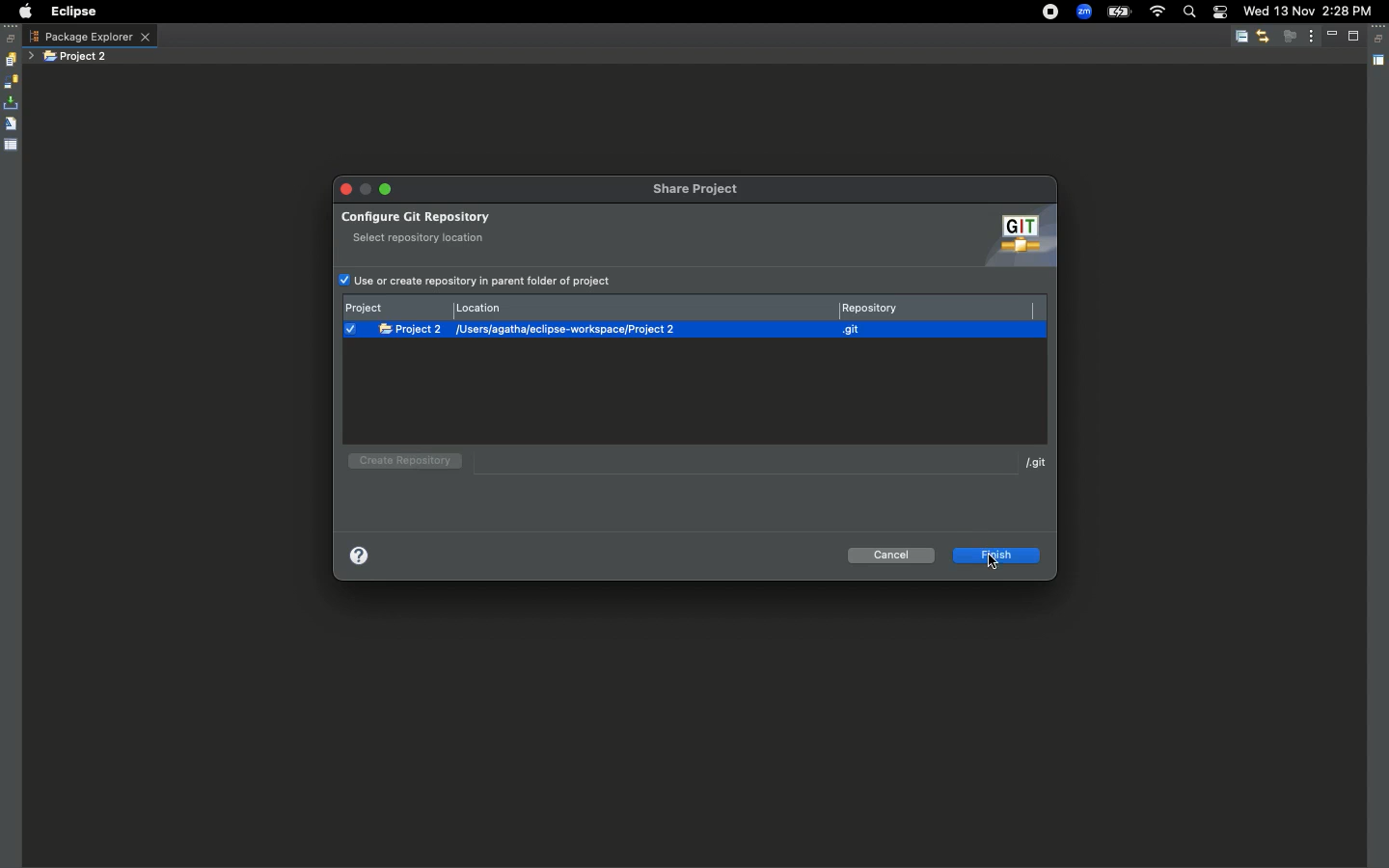 The height and width of the screenshot is (868, 1389). Describe the element at coordinates (1380, 40) in the screenshot. I see `Restore` at that location.